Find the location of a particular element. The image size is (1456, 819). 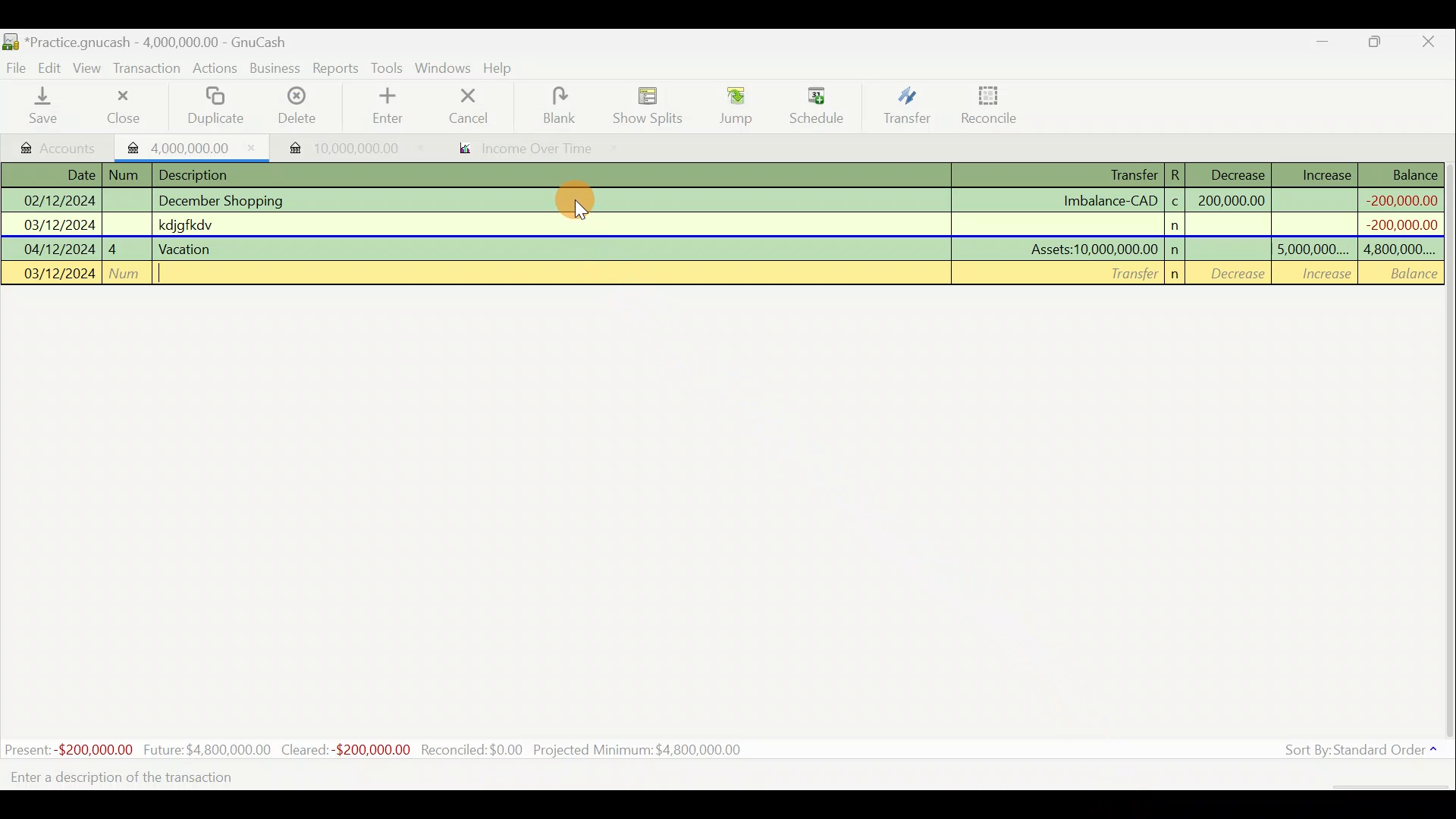

Save is located at coordinates (46, 105).